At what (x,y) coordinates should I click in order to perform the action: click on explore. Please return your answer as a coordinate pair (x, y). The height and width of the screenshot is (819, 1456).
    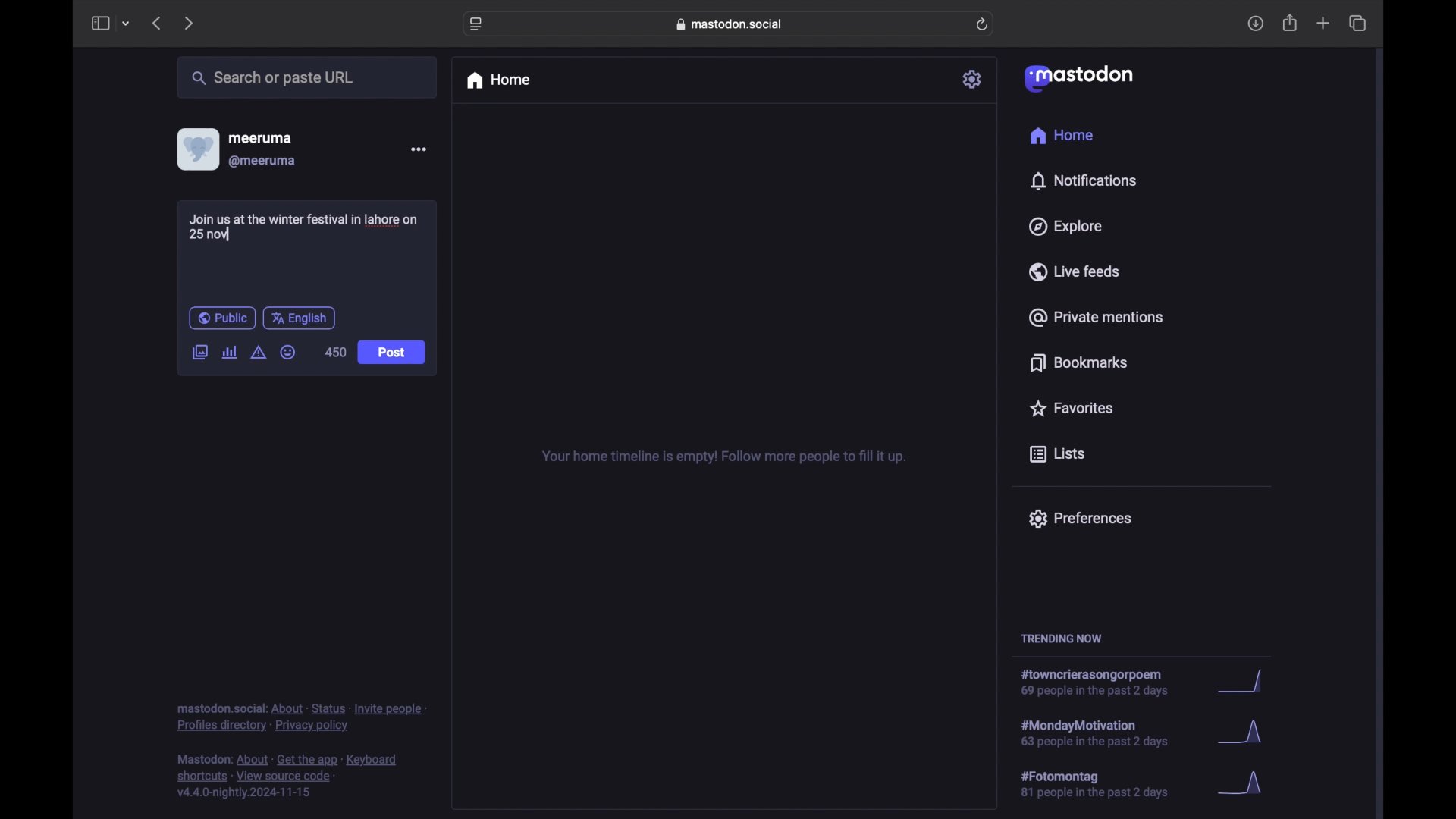
    Looking at the image, I should click on (1064, 227).